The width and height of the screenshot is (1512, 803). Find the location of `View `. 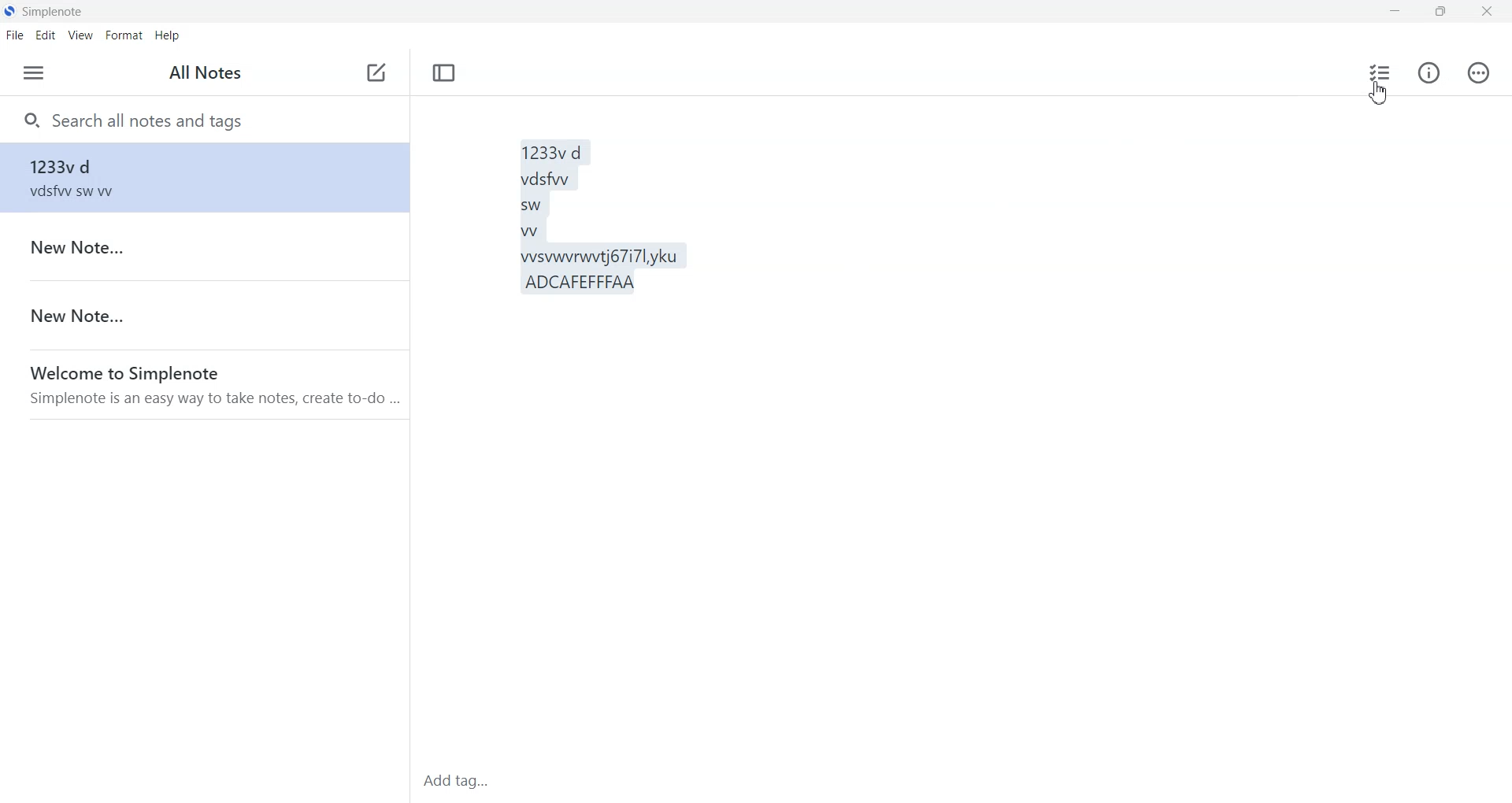

View  is located at coordinates (81, 36).